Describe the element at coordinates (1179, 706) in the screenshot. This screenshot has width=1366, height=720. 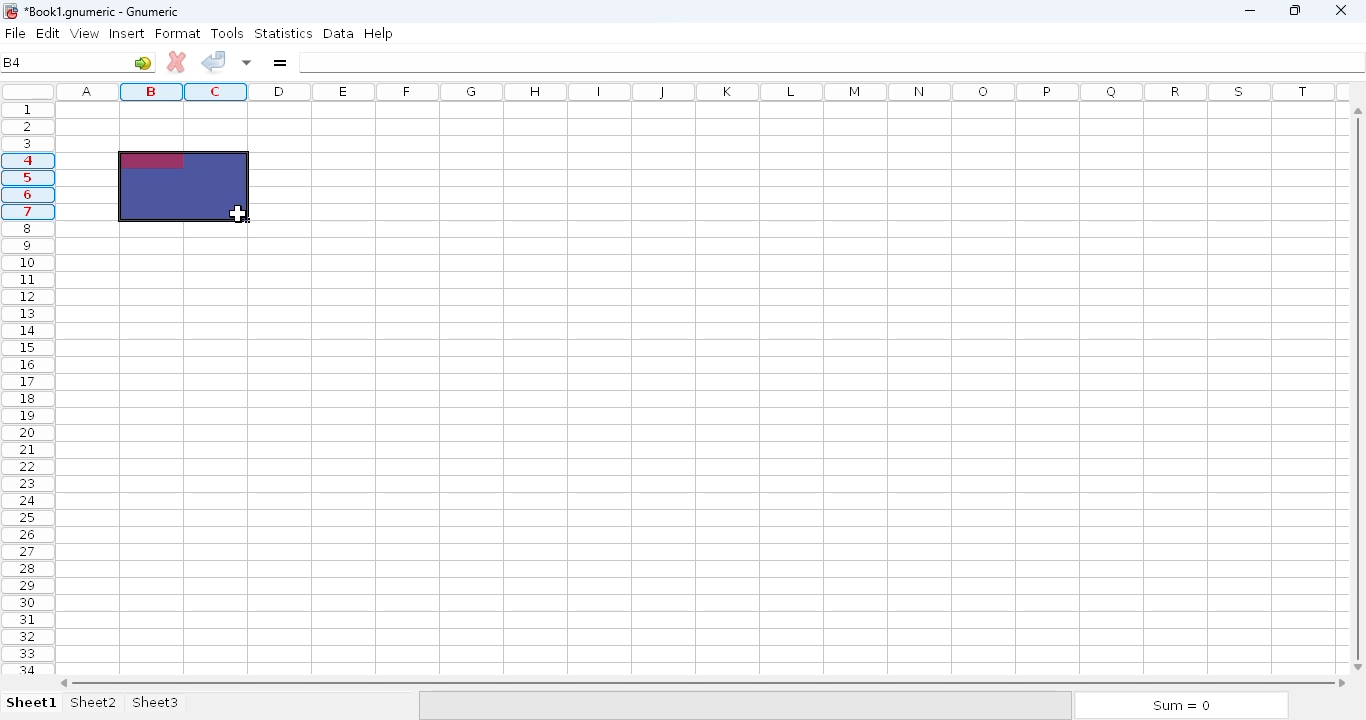
I see `sum = 0` at that location.